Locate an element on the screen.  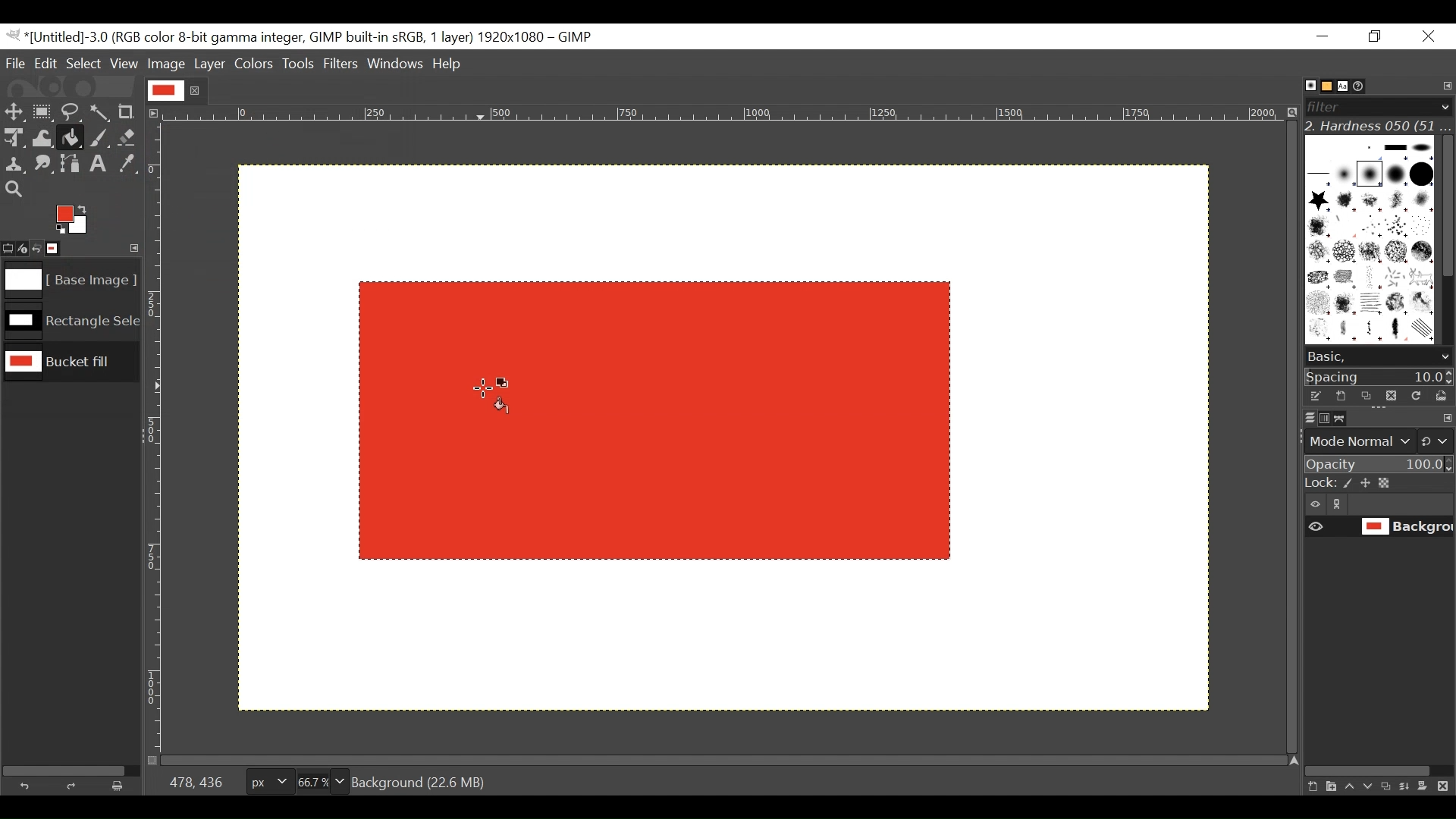
Configure tab is located at coordinates (1445, 86).